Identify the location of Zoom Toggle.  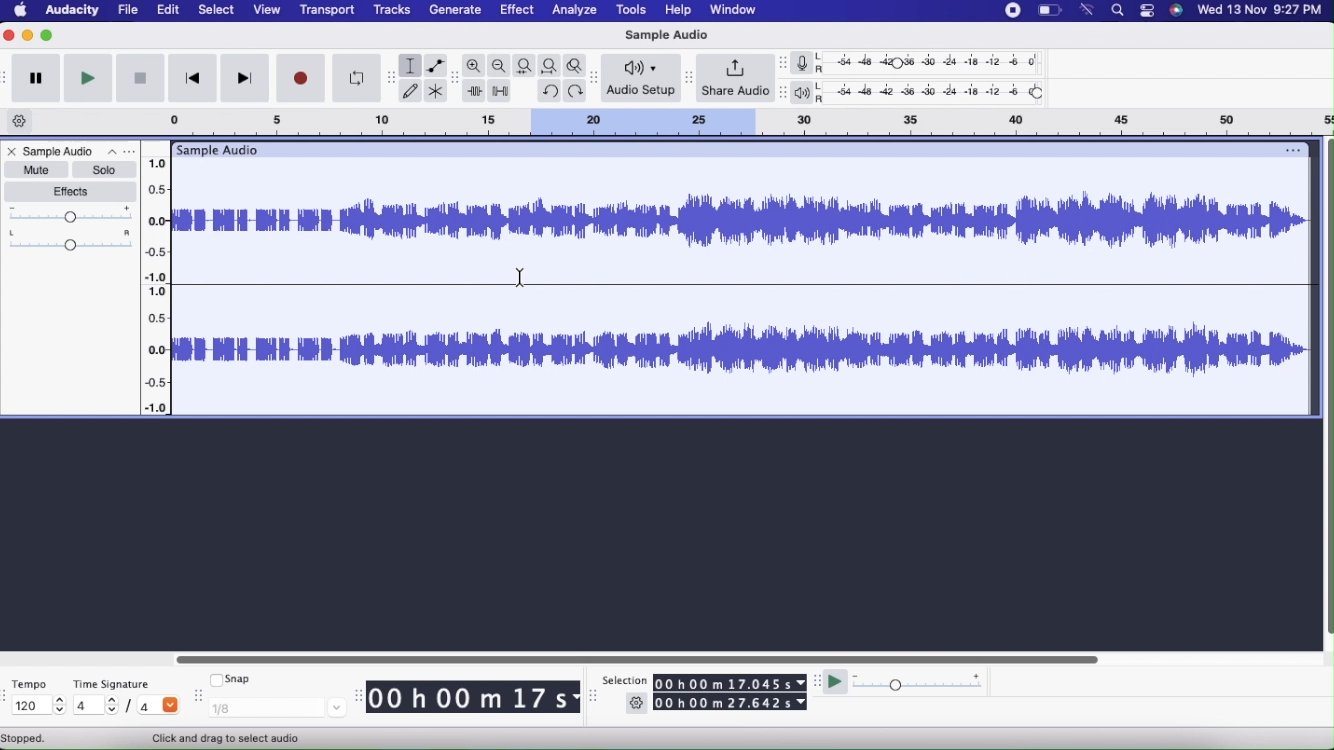
(578, 64).